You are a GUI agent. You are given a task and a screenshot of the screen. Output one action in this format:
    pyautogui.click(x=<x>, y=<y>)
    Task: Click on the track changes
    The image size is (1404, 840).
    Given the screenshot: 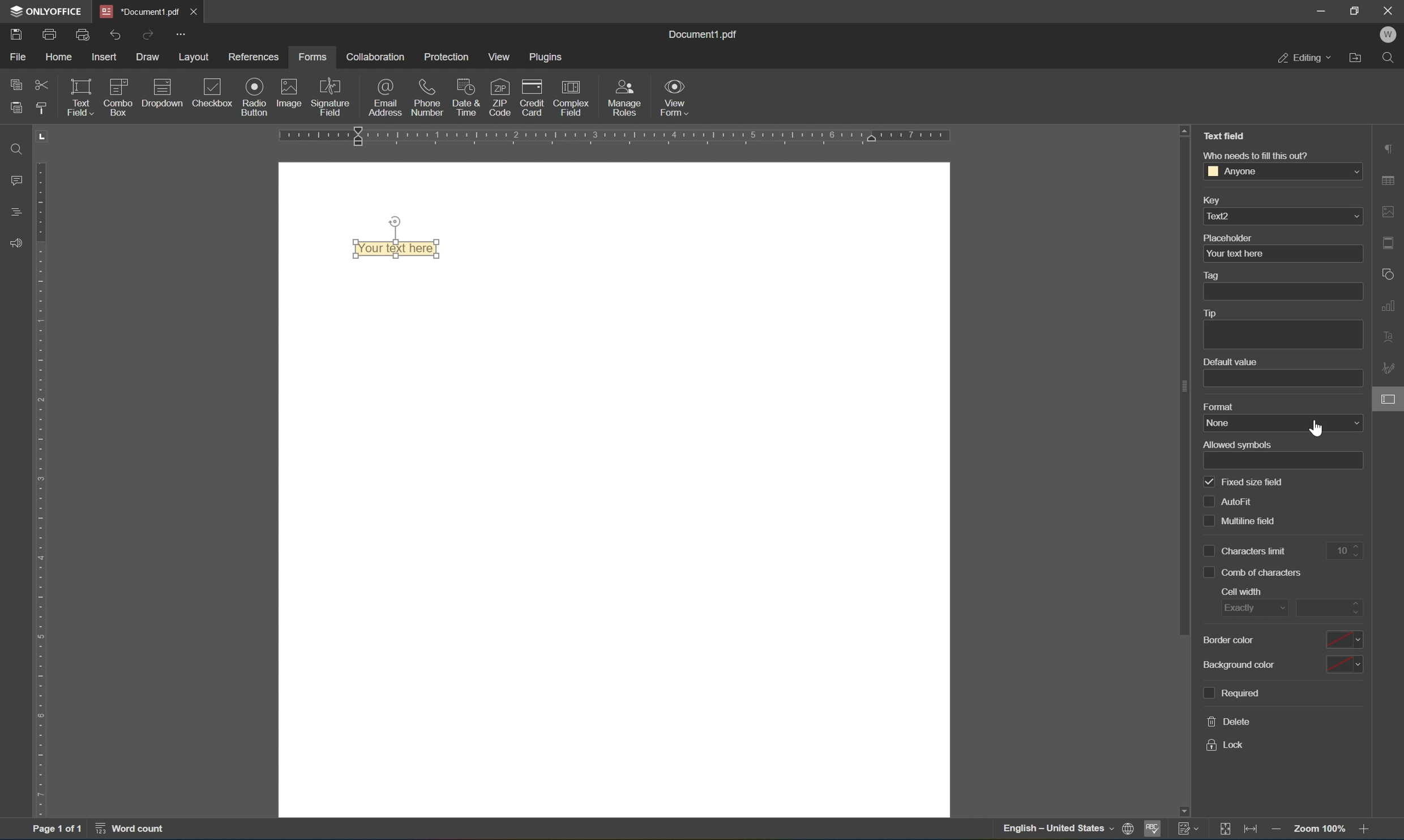 What is the action you would take?
    pyautogui.click(x=1187, y=830)
    